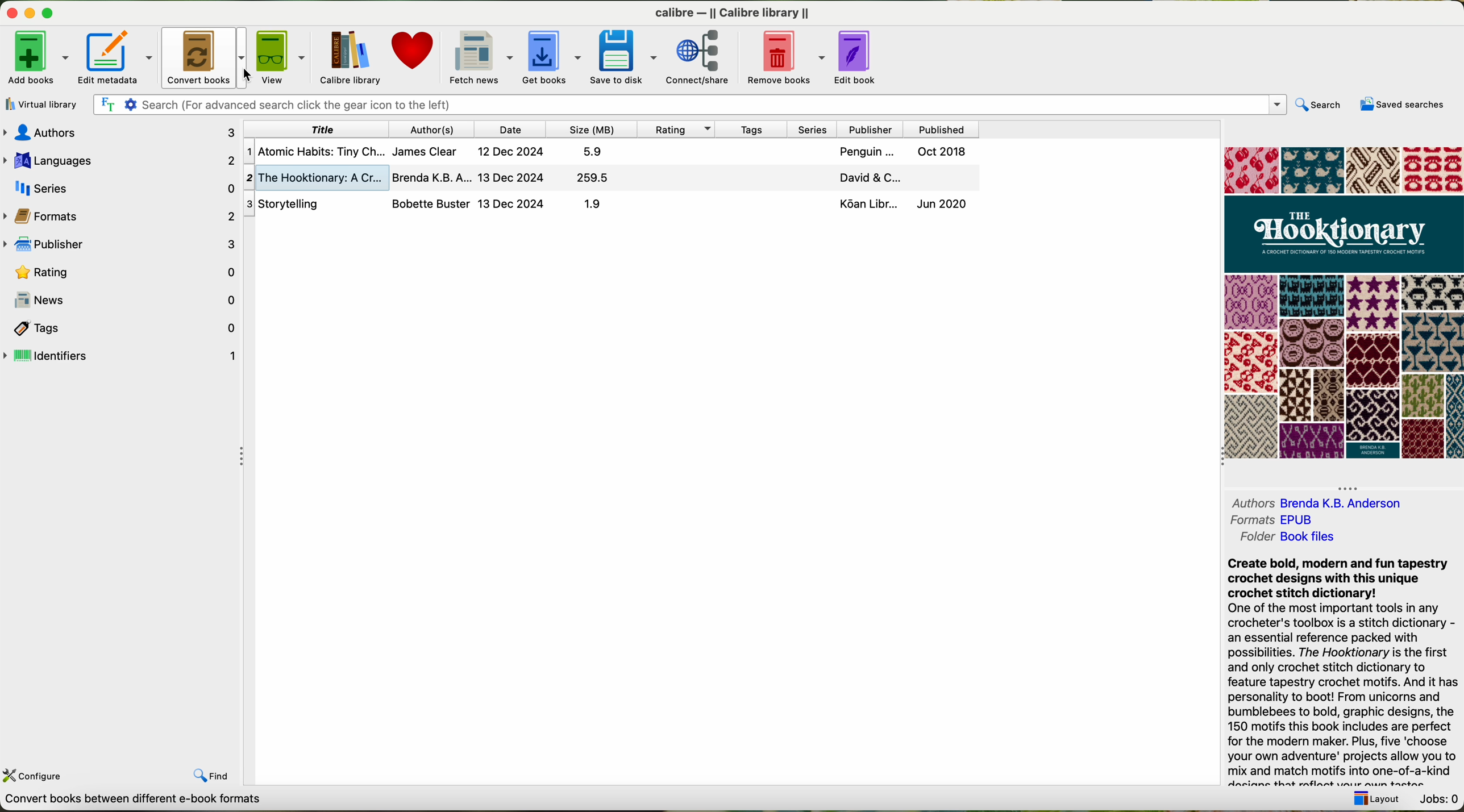  What do you see at coordinates (1218, 456) in the screenshot?
I see `Collapse` at bounding box center [1218, 456].